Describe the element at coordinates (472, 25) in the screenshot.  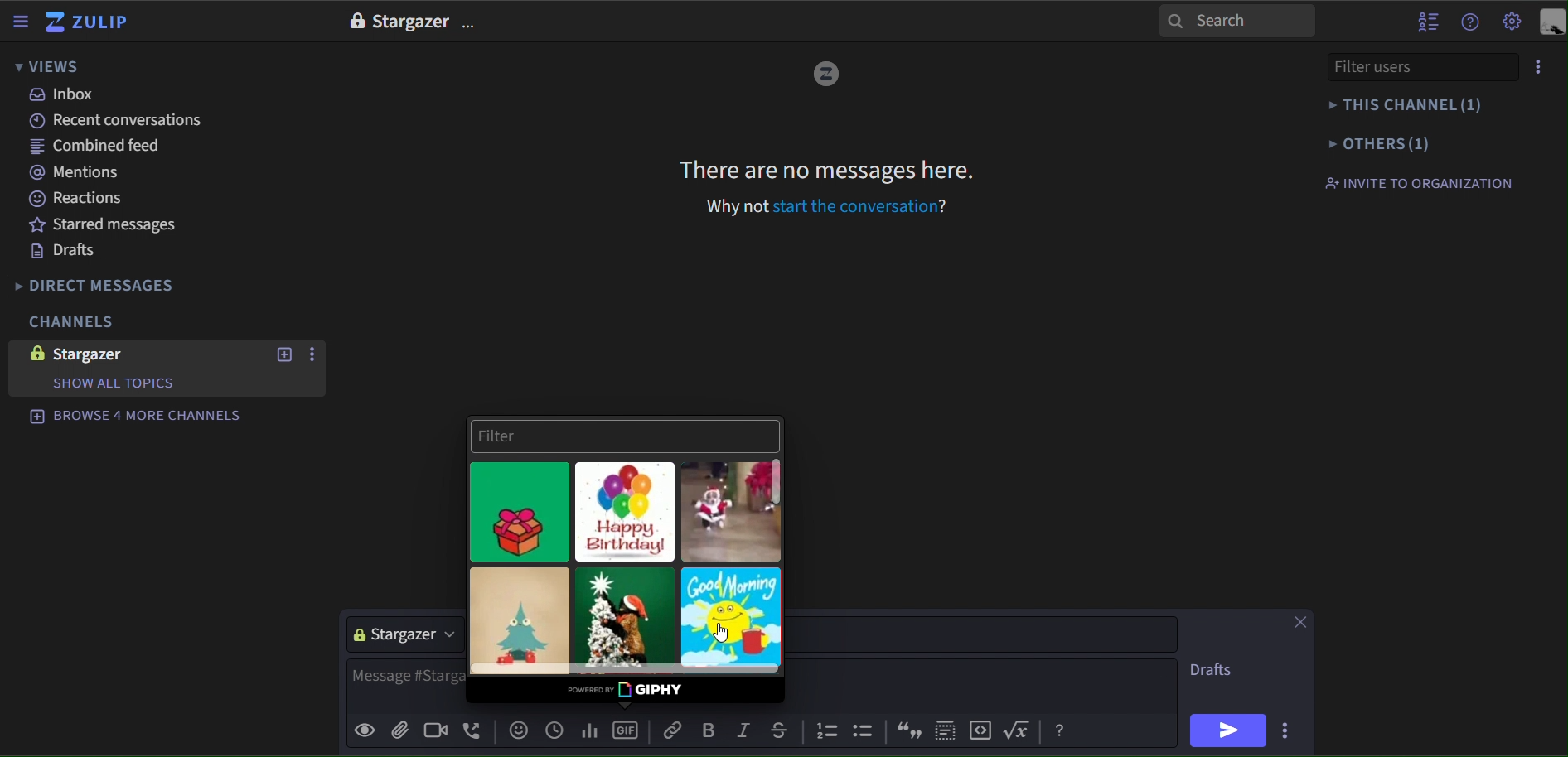
I see `options` at that location.